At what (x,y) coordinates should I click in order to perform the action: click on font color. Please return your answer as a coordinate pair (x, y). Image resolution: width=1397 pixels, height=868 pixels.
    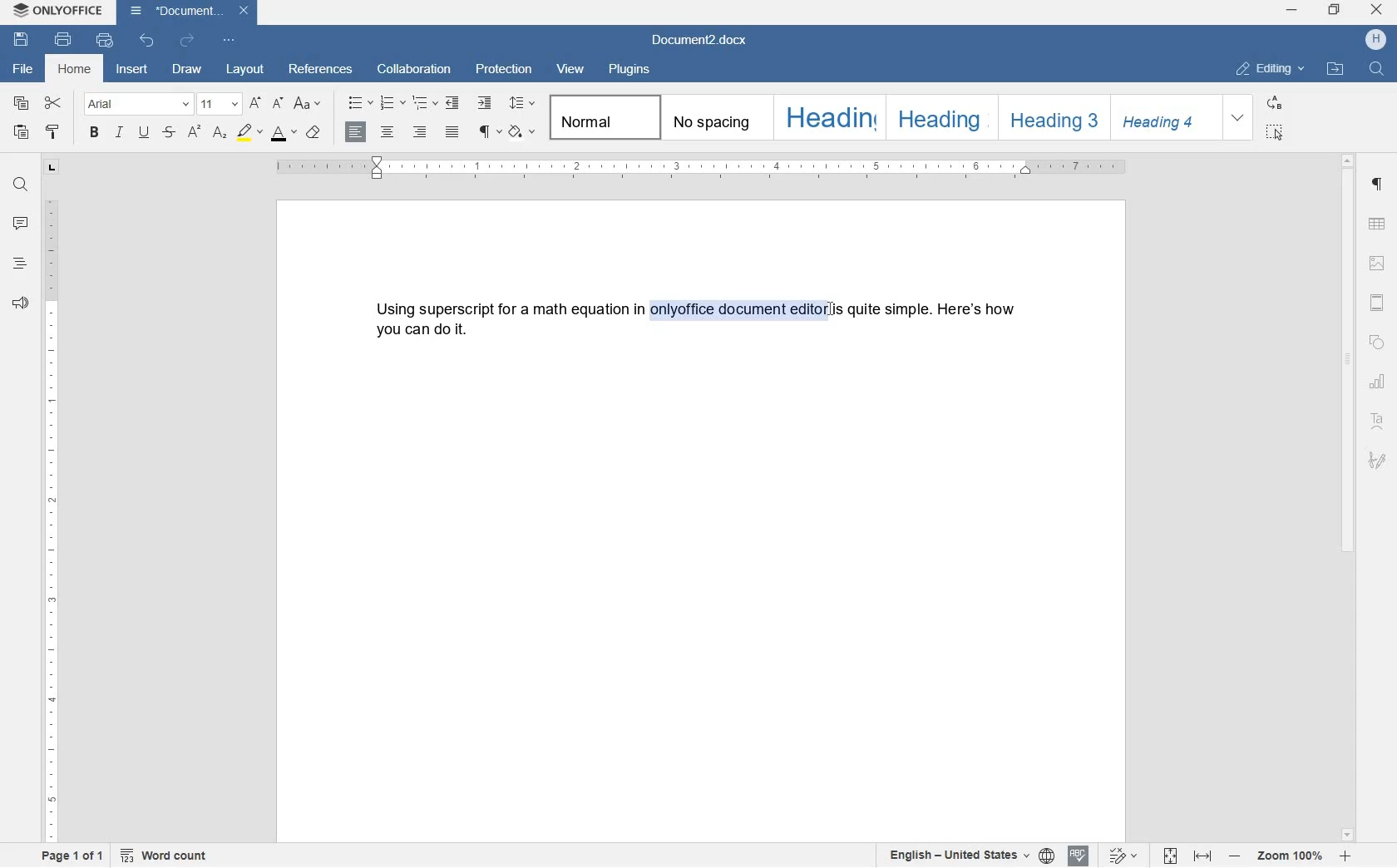
    Looking at the image, I should click on (284, 134).